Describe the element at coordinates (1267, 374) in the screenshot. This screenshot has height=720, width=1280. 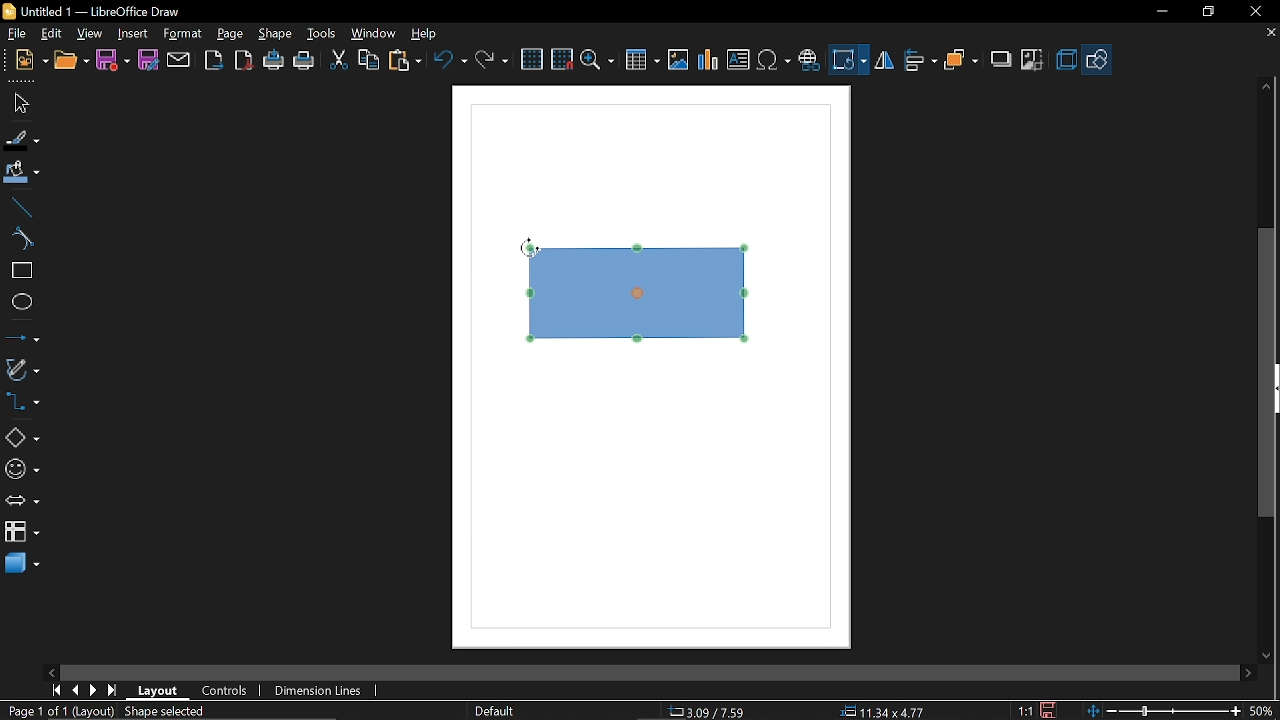
I see `vertical scrollbar` at that location.